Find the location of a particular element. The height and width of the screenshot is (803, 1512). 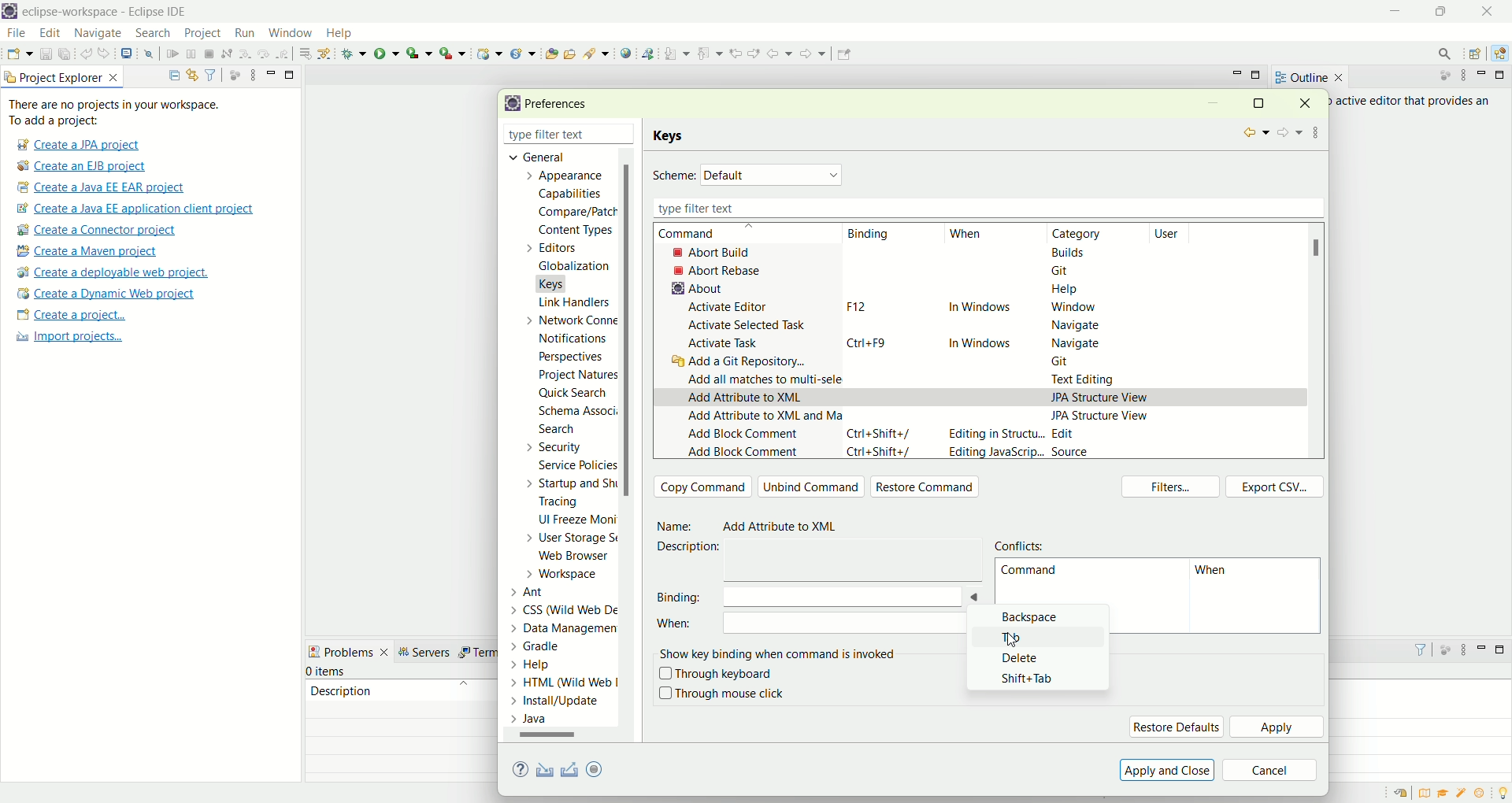

collapse all is located at coordinates (170, 76).